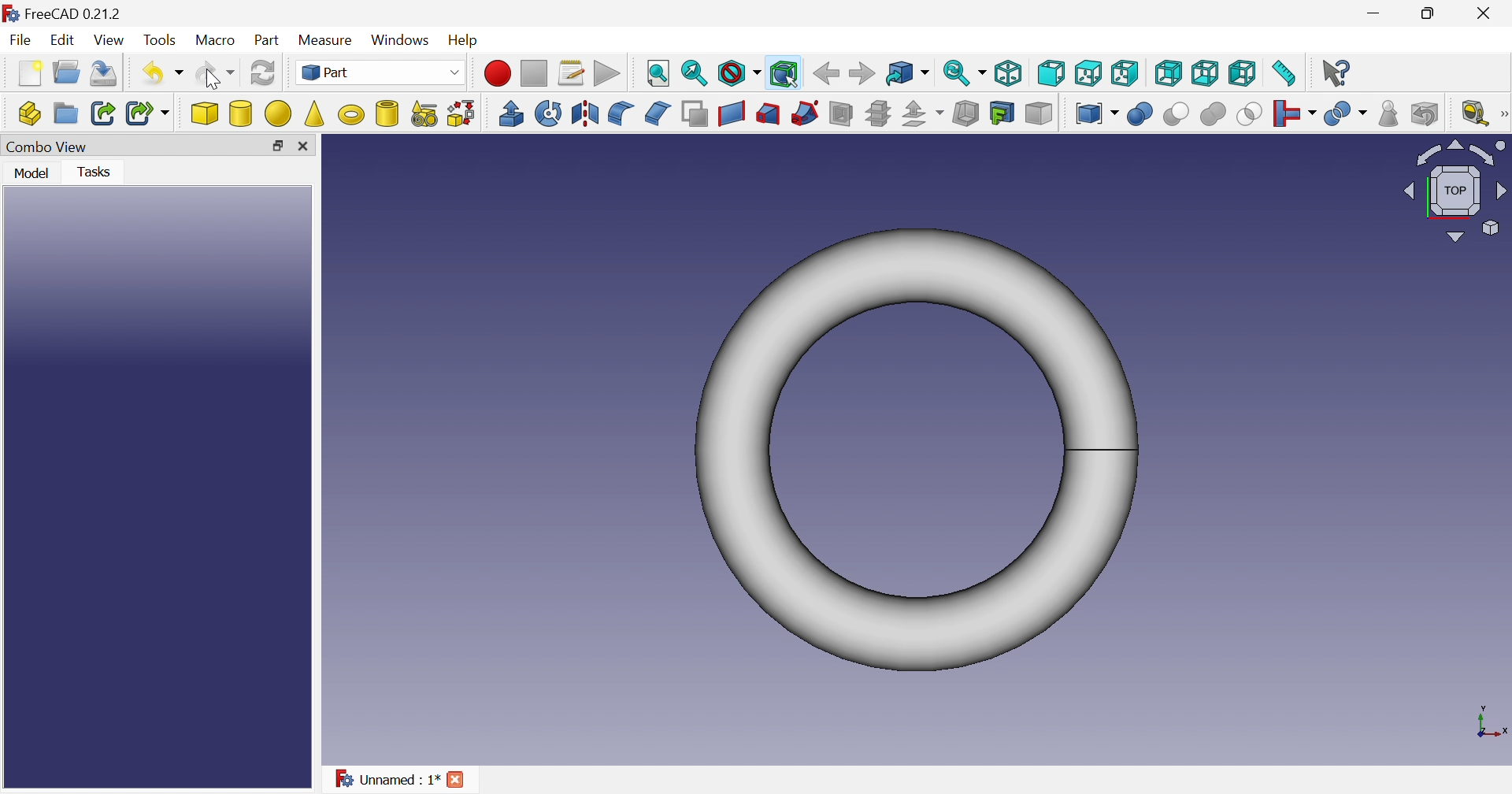 The width and height of the screenshot is (1512, 794). I want to click on Offset:, so click(922, 114).